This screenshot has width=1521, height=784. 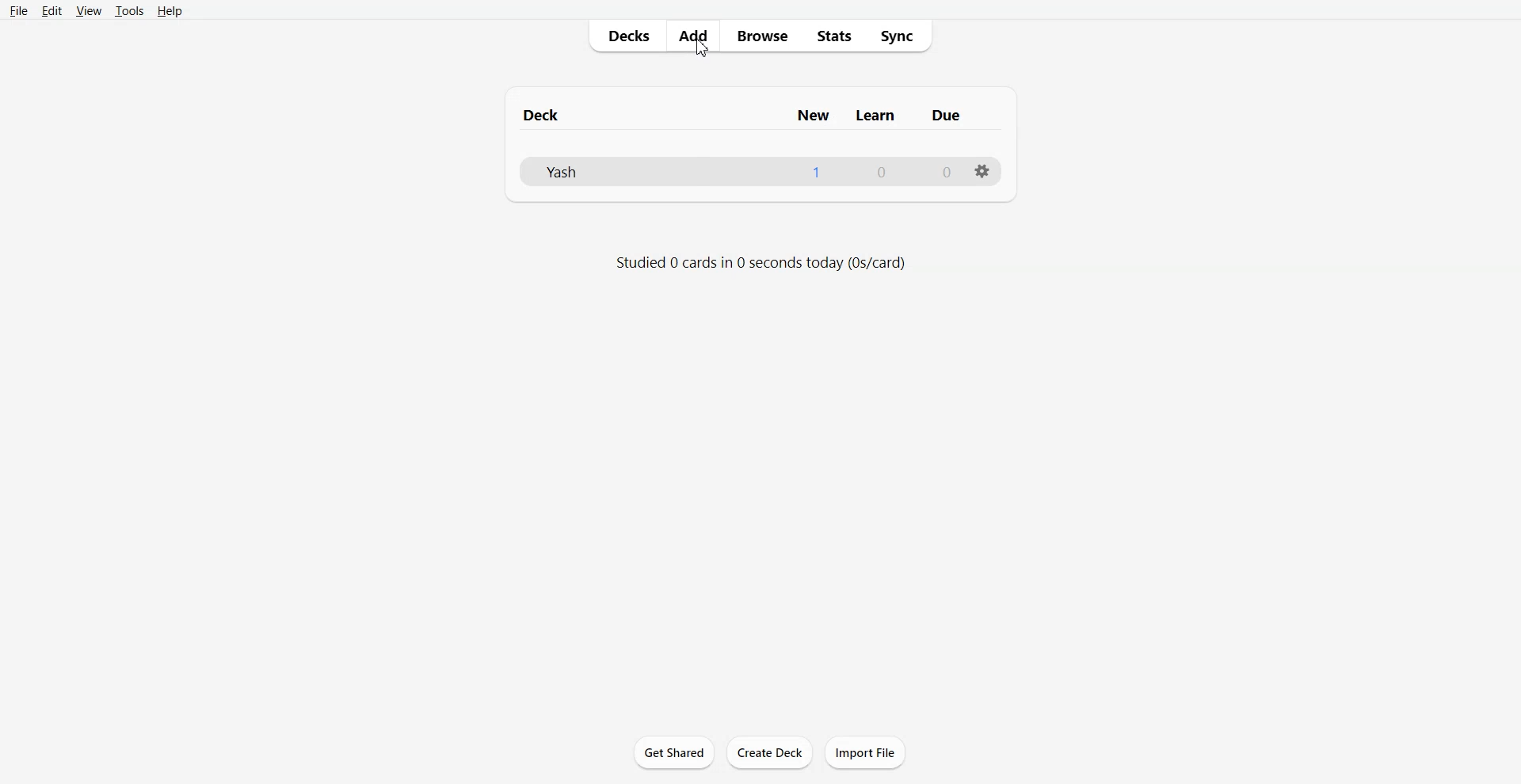 I want to click on New, so click(x=810, y=114).